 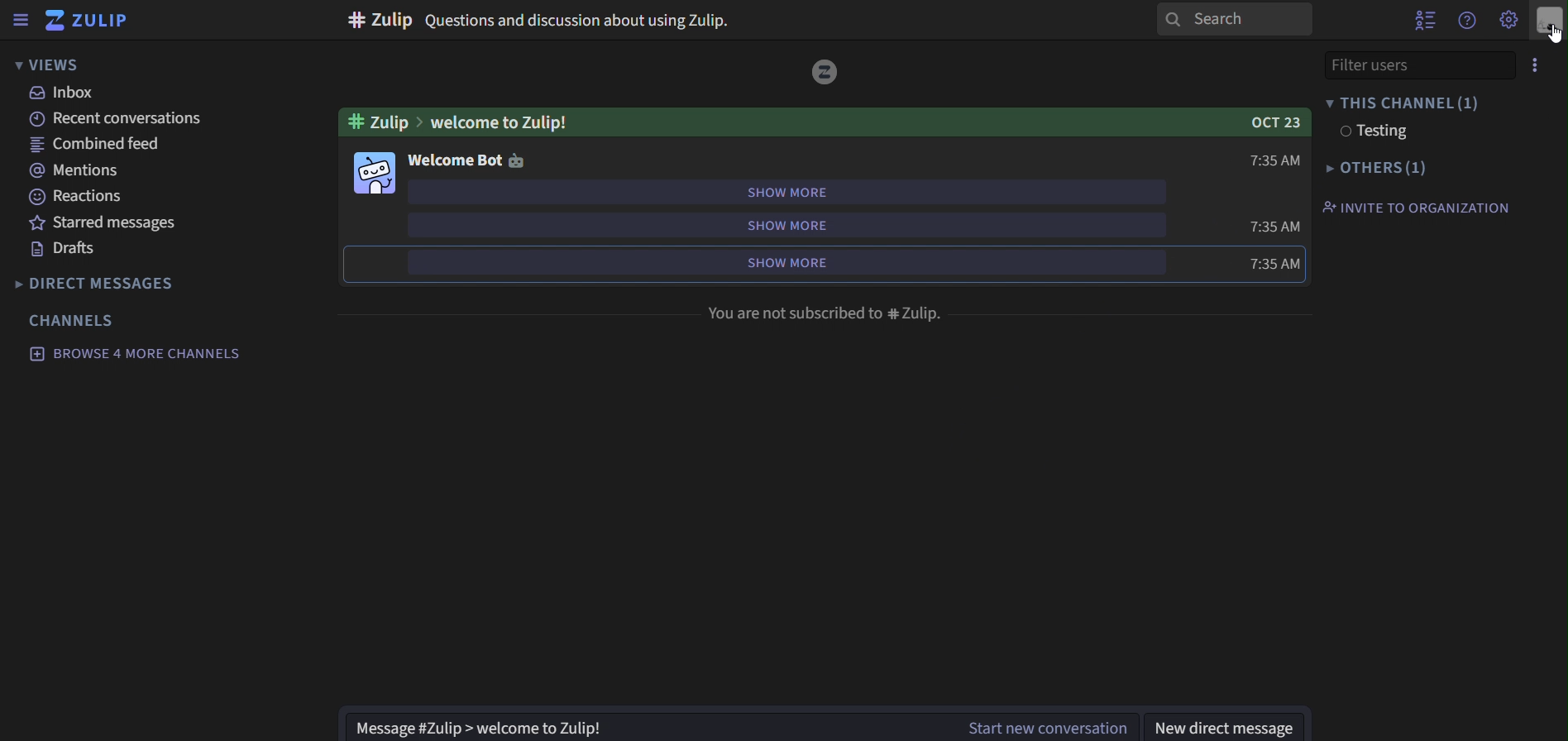 I want to click on Message #Zulip > welcome to Zulip!, so click(x=642, y=724).